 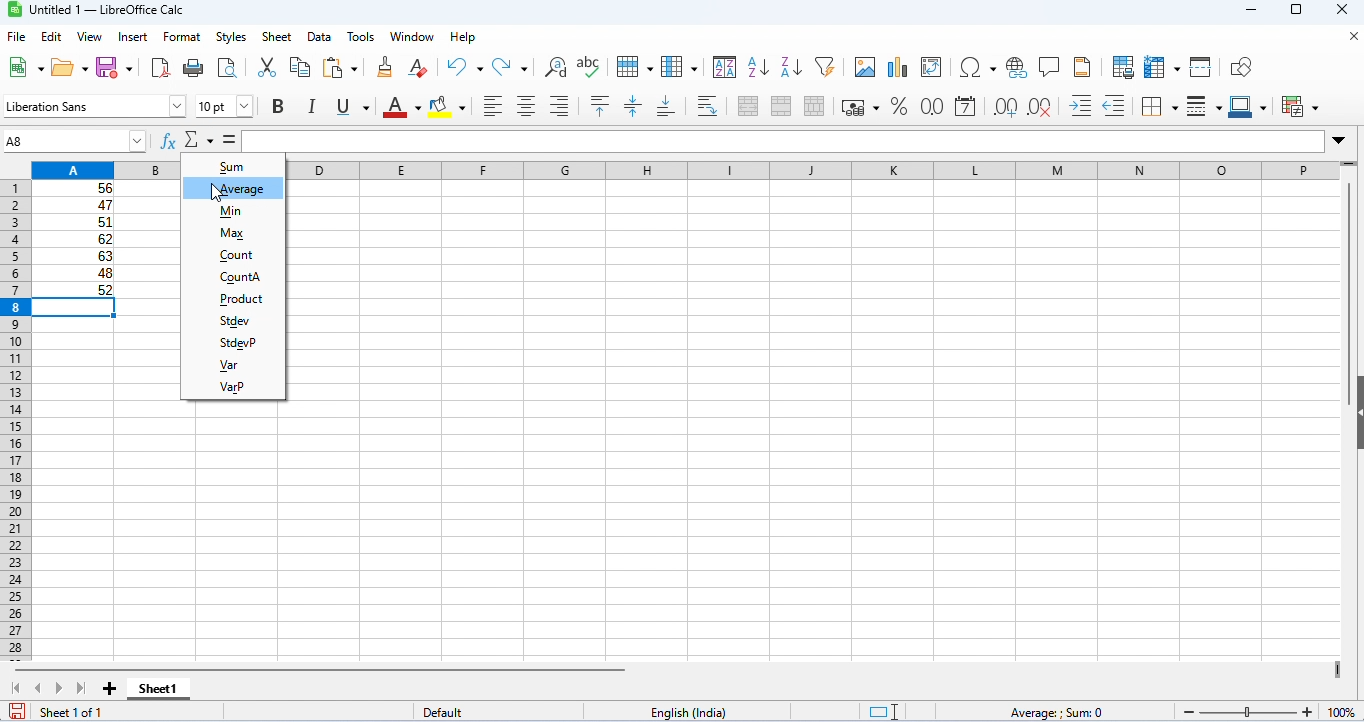 I want to click on filter, so click(x=825, y=65).